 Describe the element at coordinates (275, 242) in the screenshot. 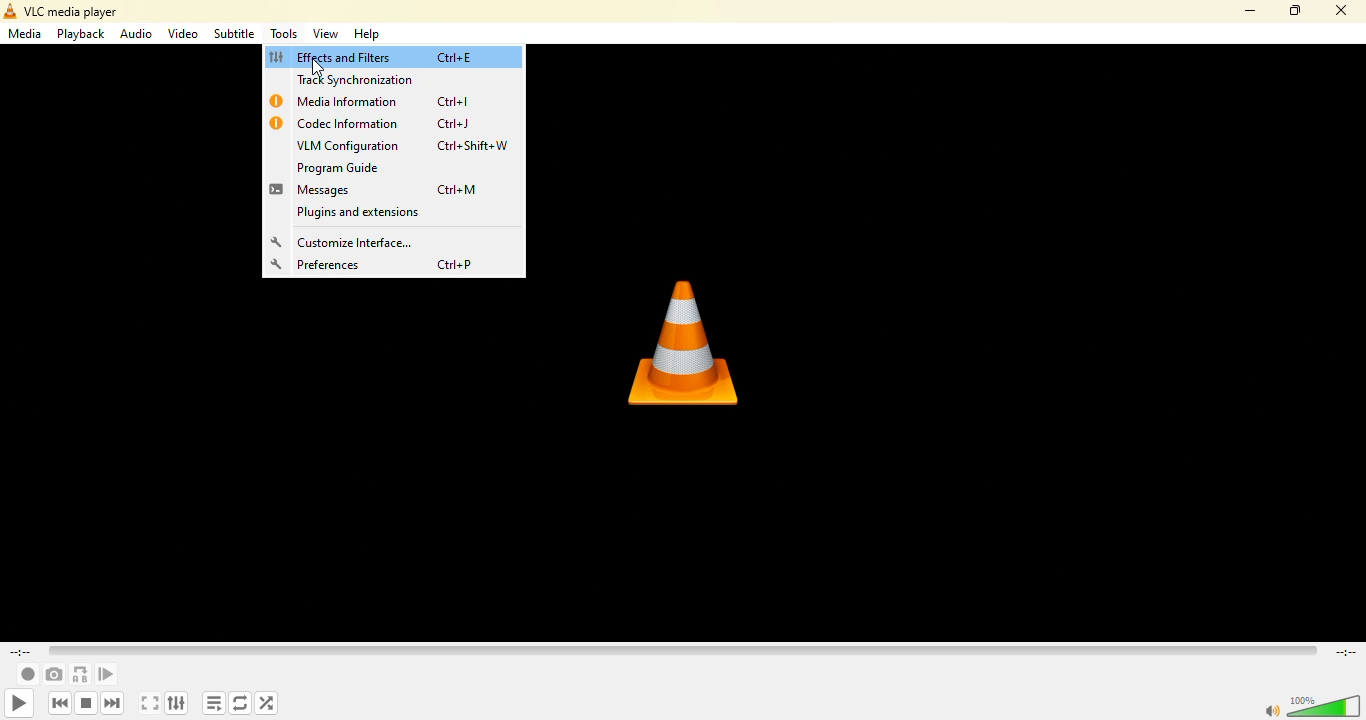

I see `setting` at that location.